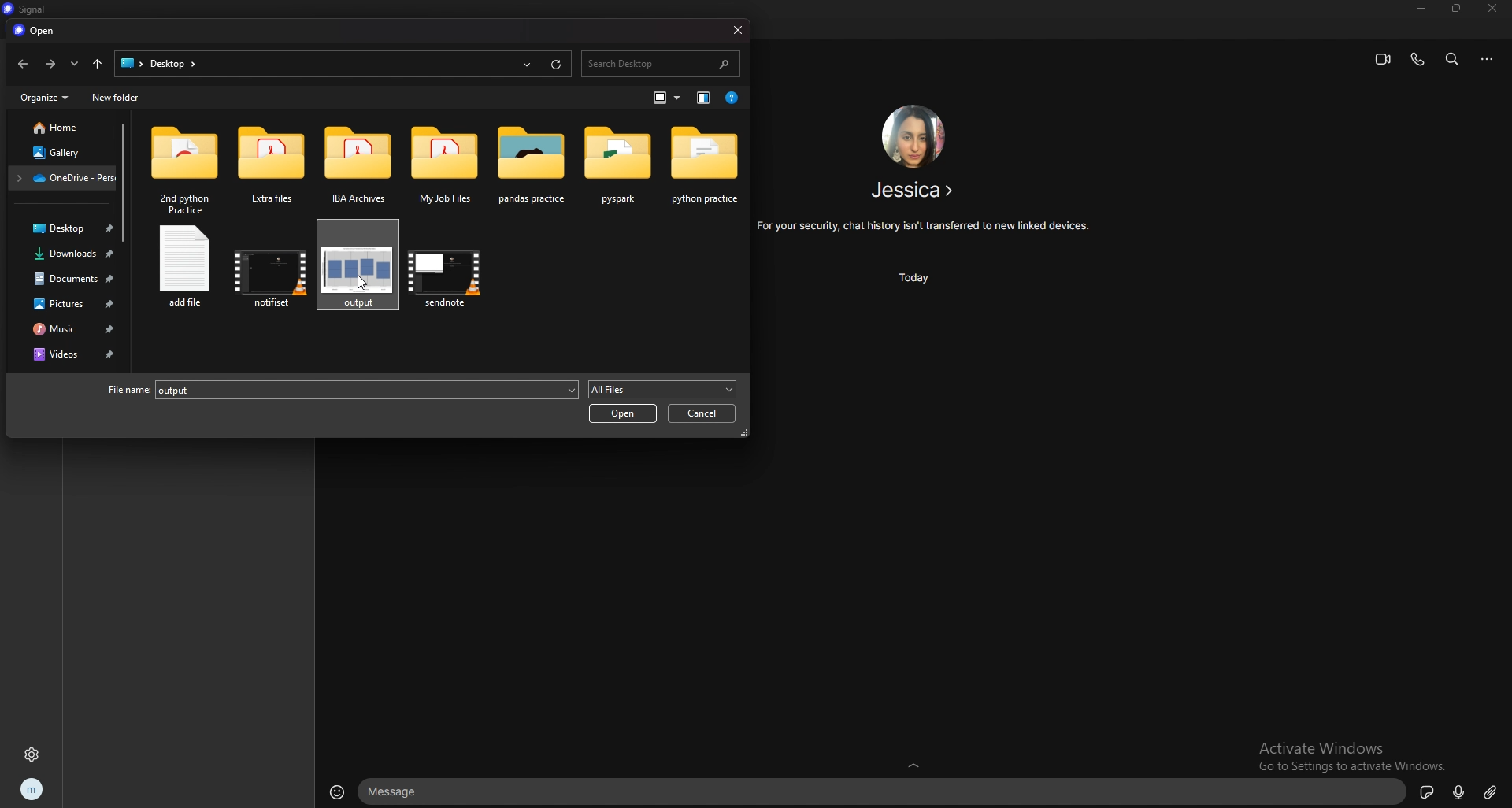 The height and width of the screenshot is (808, 1512). What do you see at coordinates (663, 389) in the screenshot?
I see `all files` at bounding box center [663, 389].